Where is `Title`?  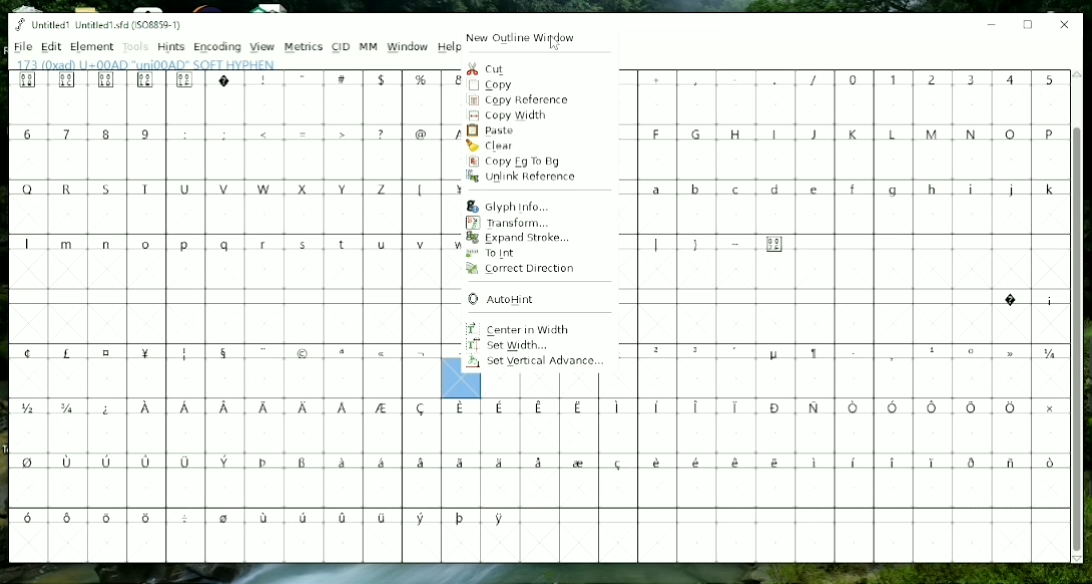 Title is located at coordinates (99, 25).